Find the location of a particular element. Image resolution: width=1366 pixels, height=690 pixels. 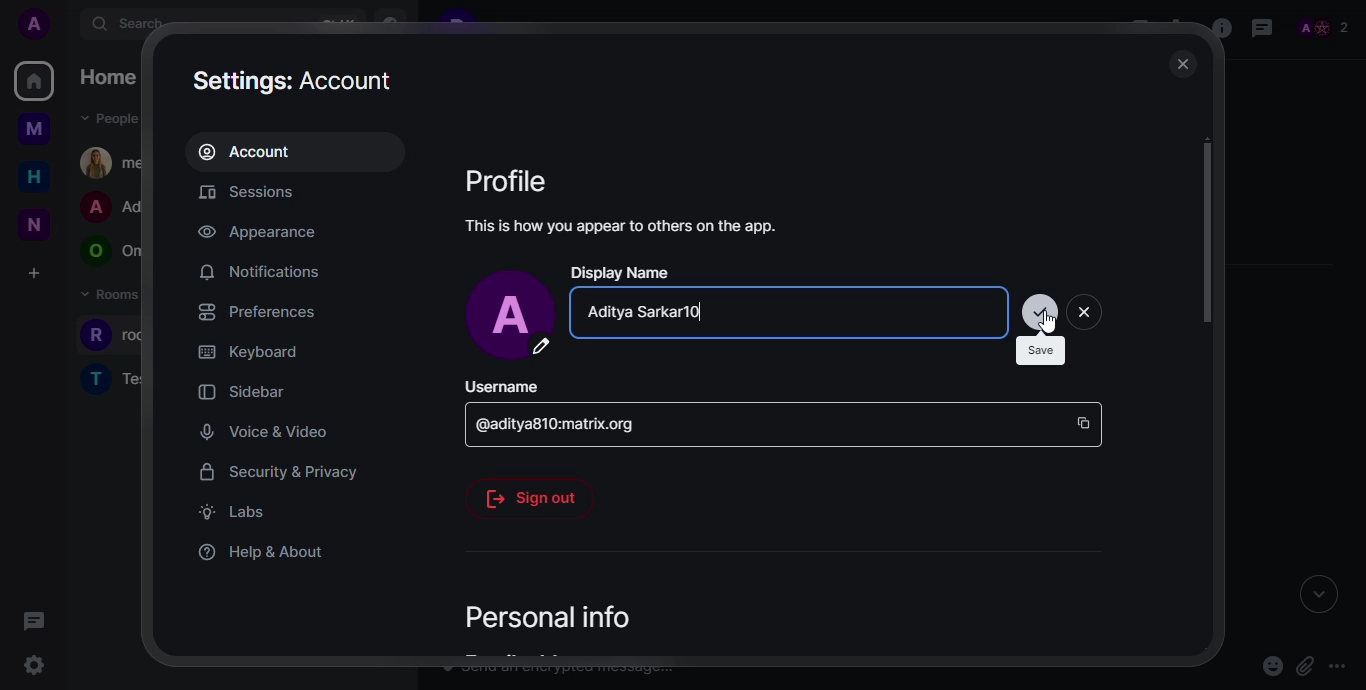

close is located at coordinates (1181, 64).